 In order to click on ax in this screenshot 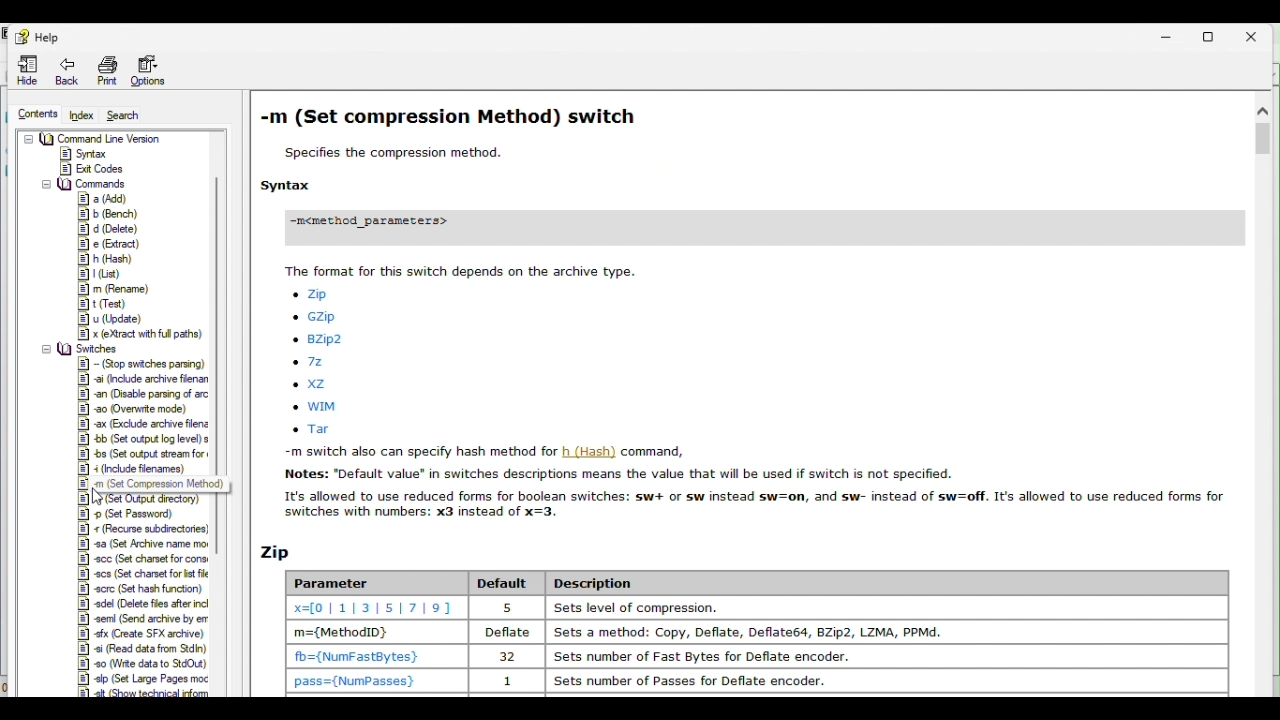, I will do `click(142, 423)`.